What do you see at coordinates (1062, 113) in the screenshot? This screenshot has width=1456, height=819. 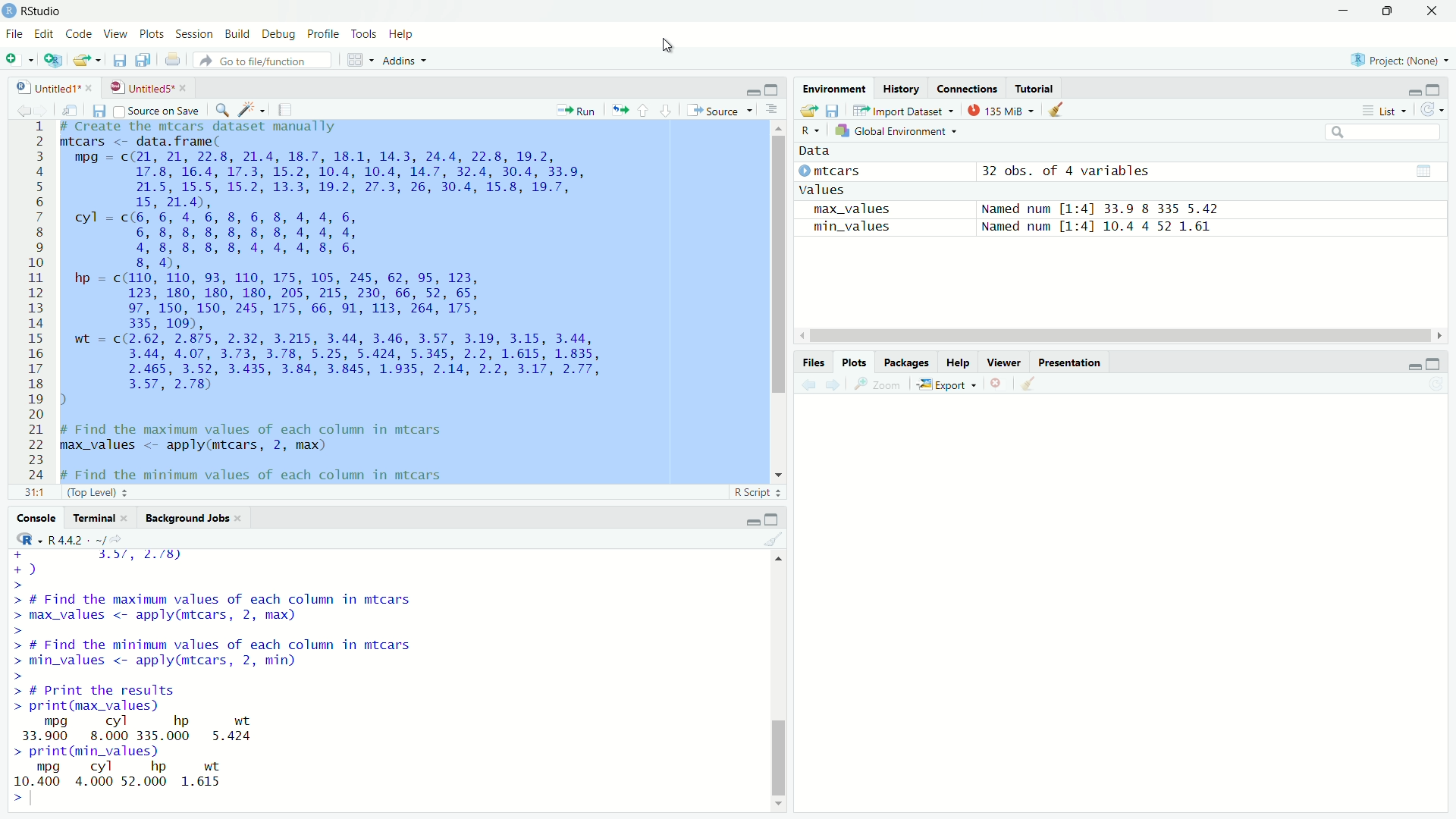 I see `clear` at bounding box center [1062, 113].